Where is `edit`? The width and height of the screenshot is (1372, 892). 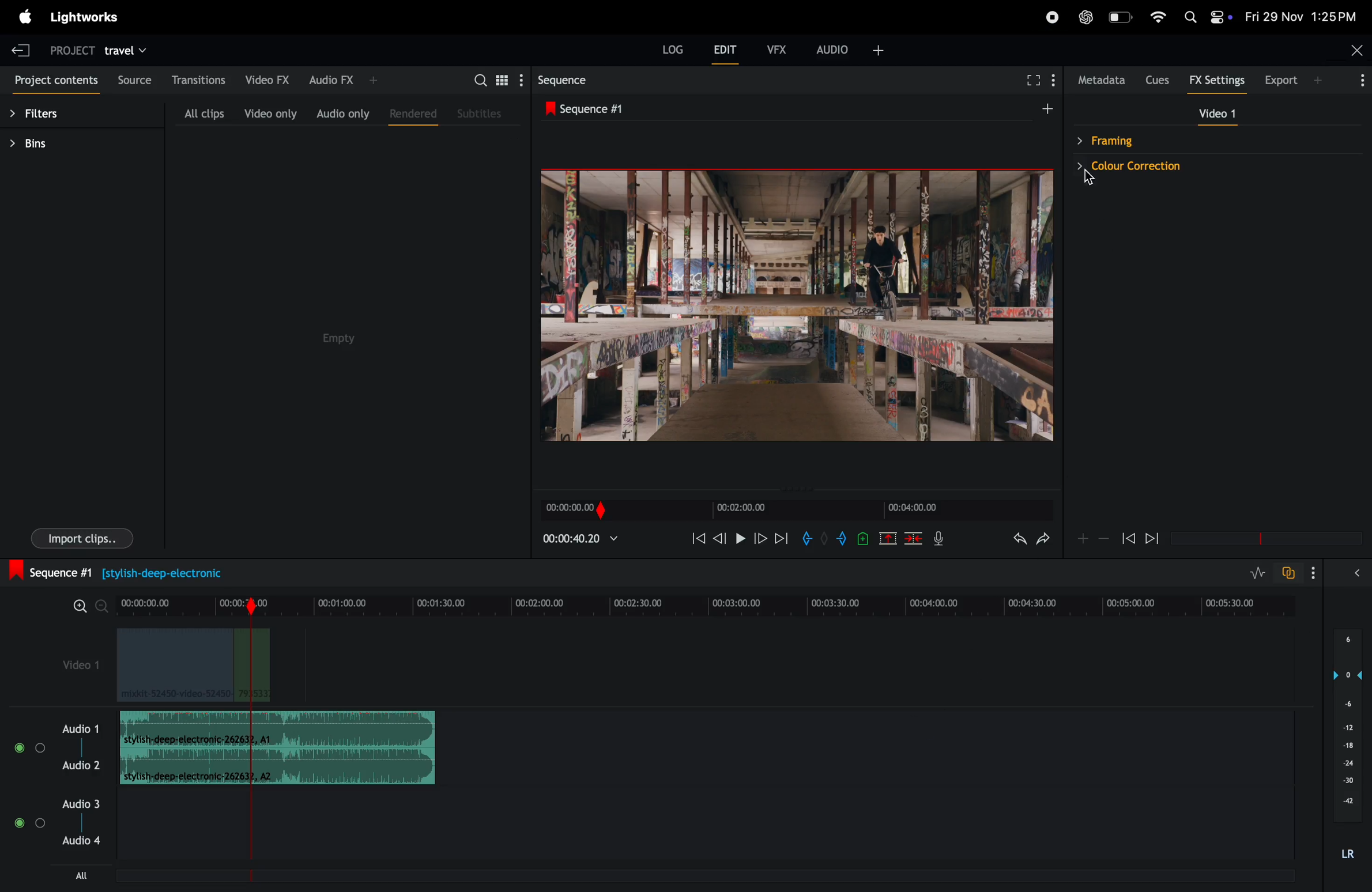 edit is located at coordinates (726, 53).